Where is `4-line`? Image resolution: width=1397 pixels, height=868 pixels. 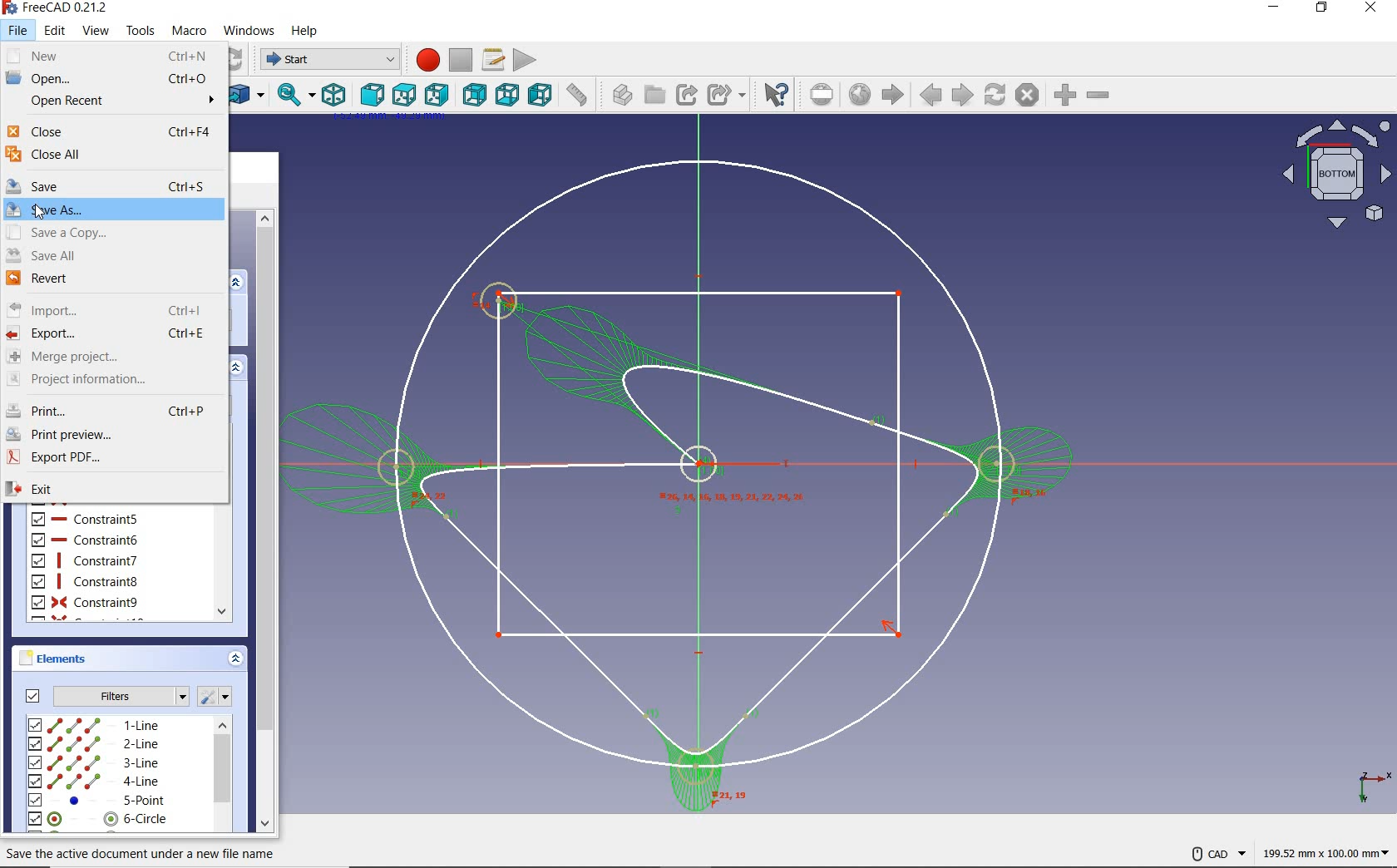
4-line is located at coordinates (94, 782).